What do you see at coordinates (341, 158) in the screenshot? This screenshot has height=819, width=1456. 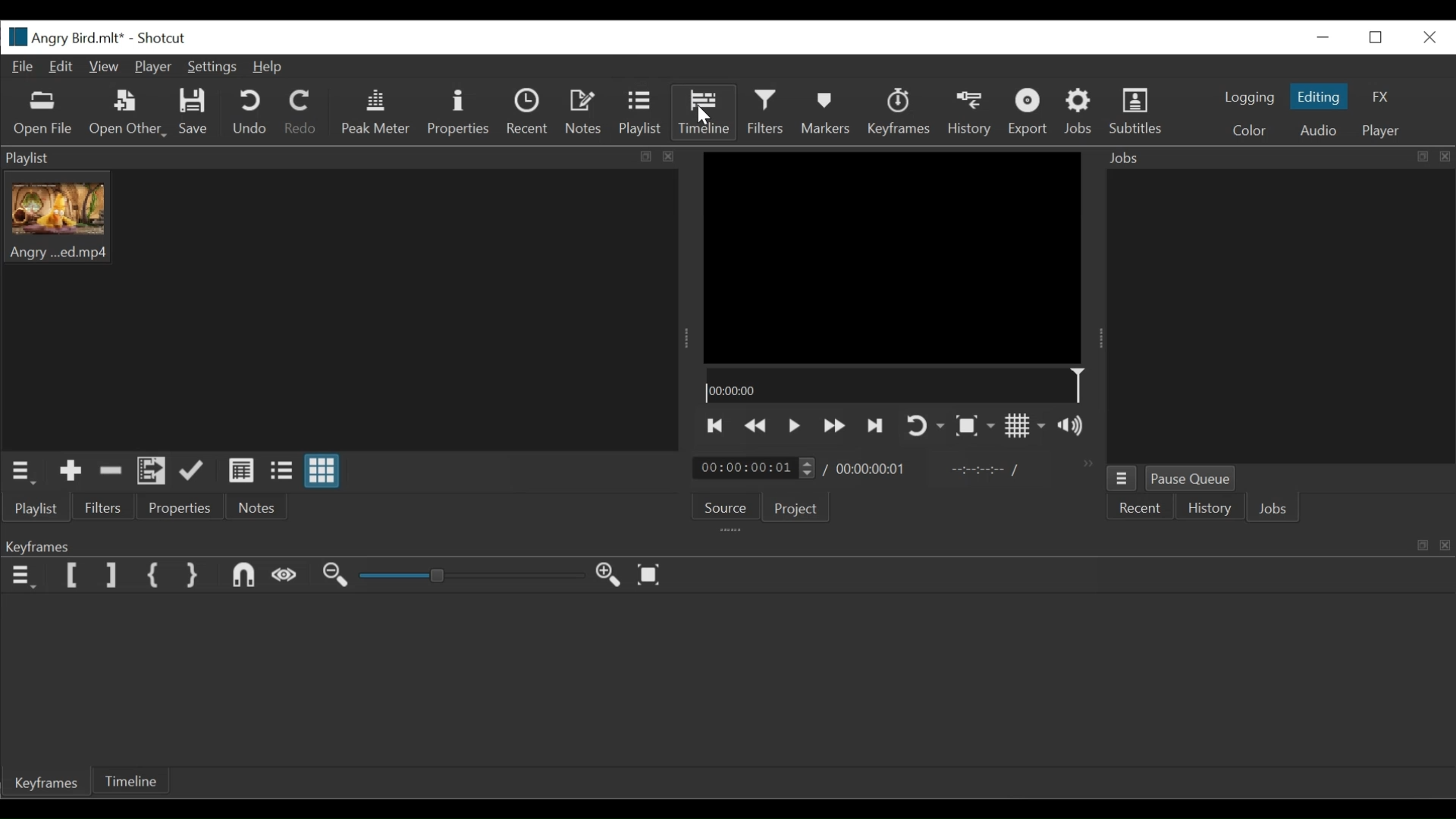 I see `Playlist` at bounding box center [341, 158].